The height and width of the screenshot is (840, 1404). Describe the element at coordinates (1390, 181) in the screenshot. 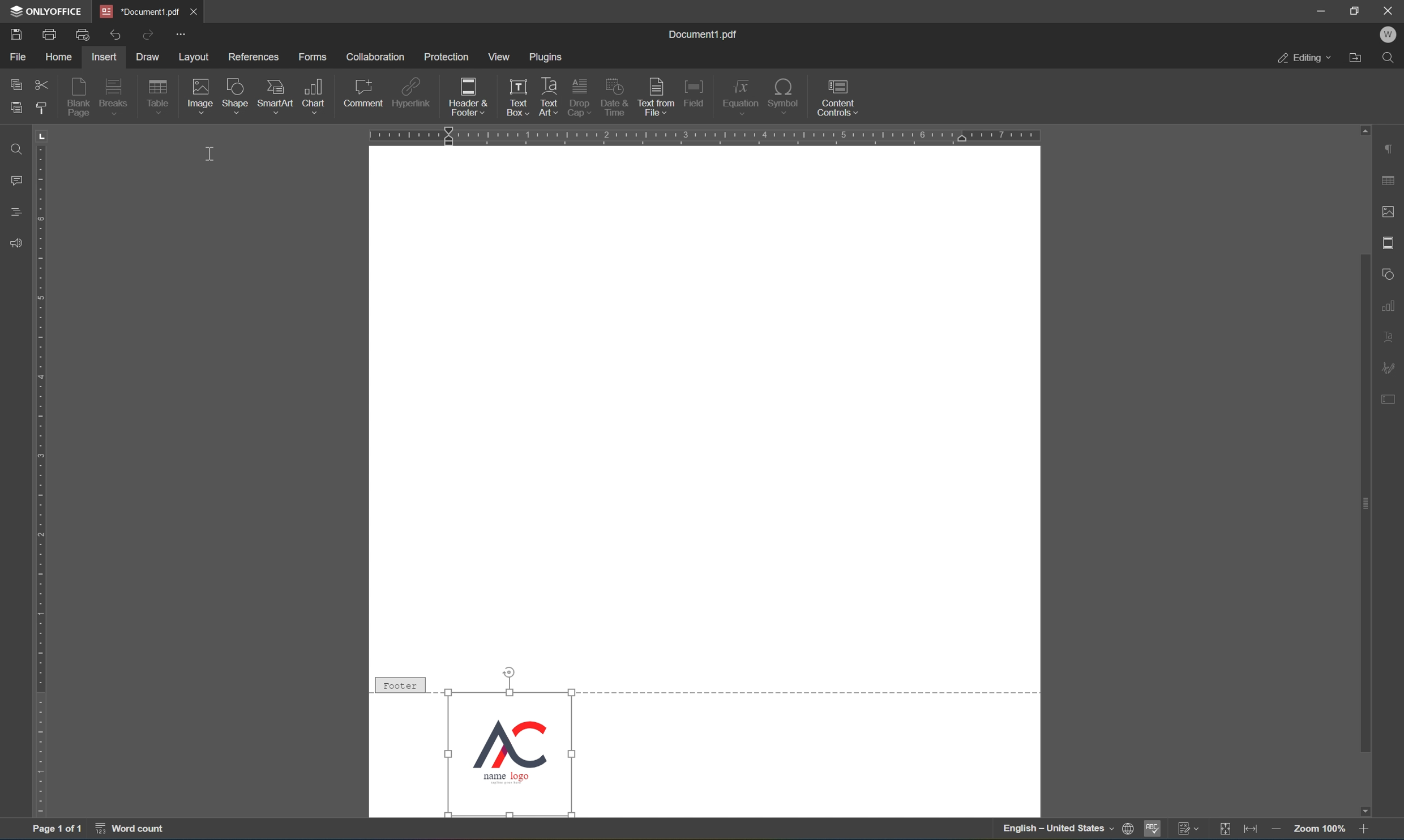

I see `tabular settings` at that location.